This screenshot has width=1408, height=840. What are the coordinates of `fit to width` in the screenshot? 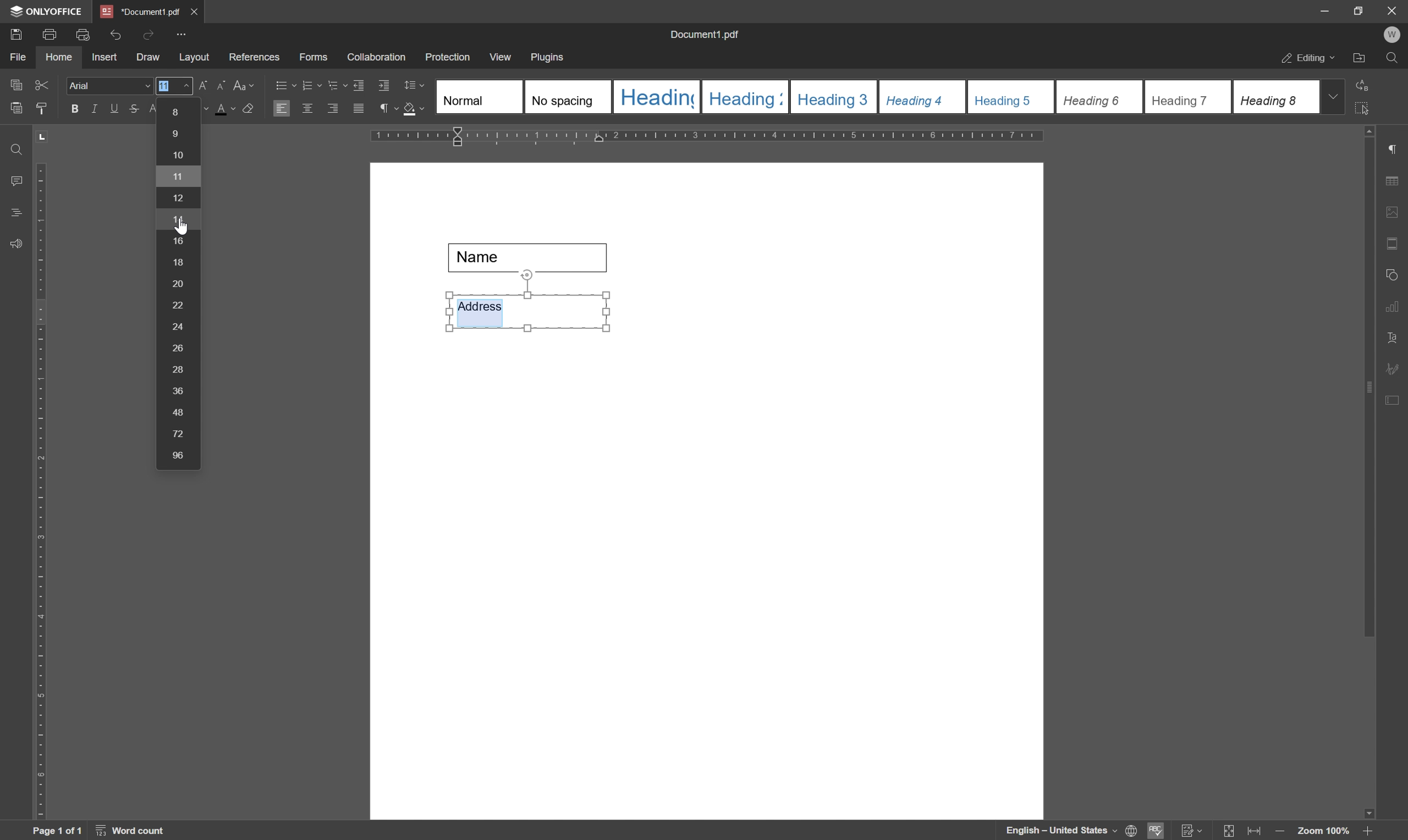 It's located at (1257, 832).